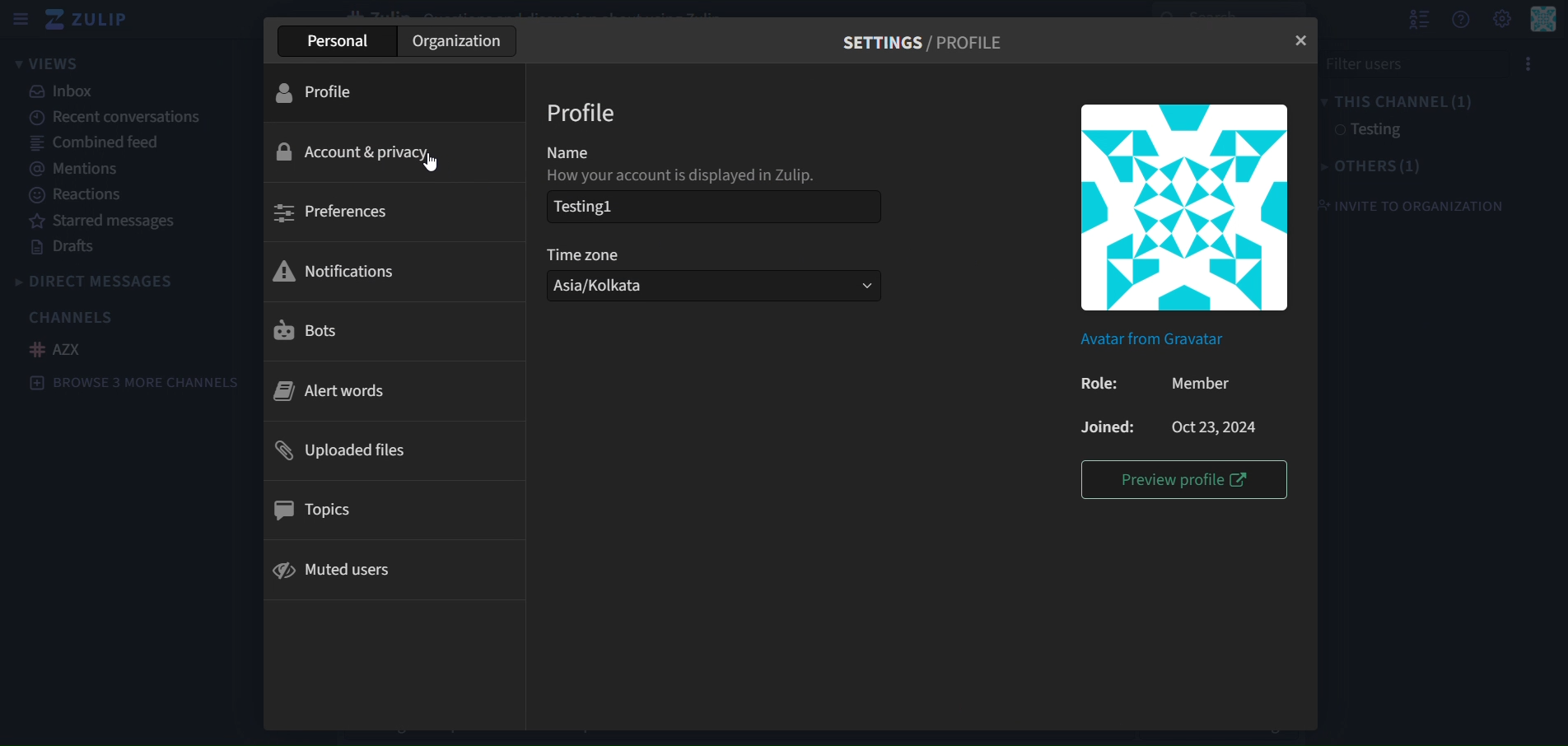  I want to click on get help, so click(1461, 21).